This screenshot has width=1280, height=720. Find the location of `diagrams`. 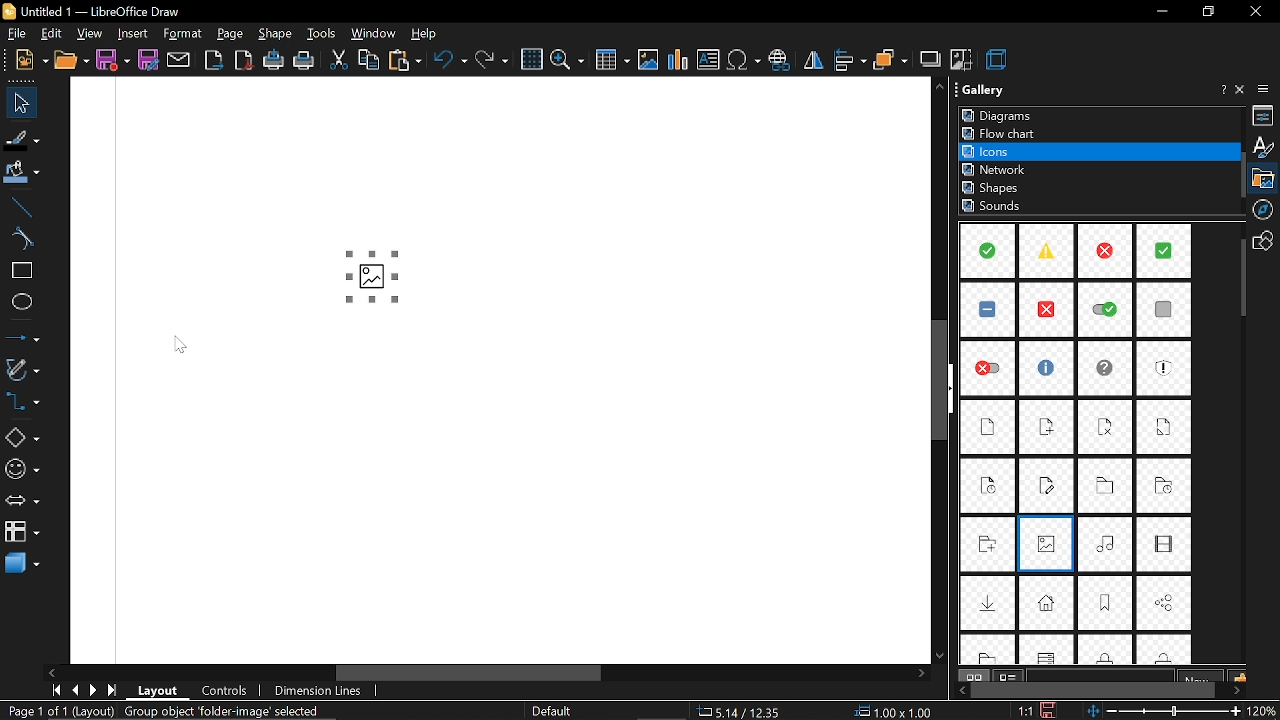

diagrams is located at coordinates (1000, 116).